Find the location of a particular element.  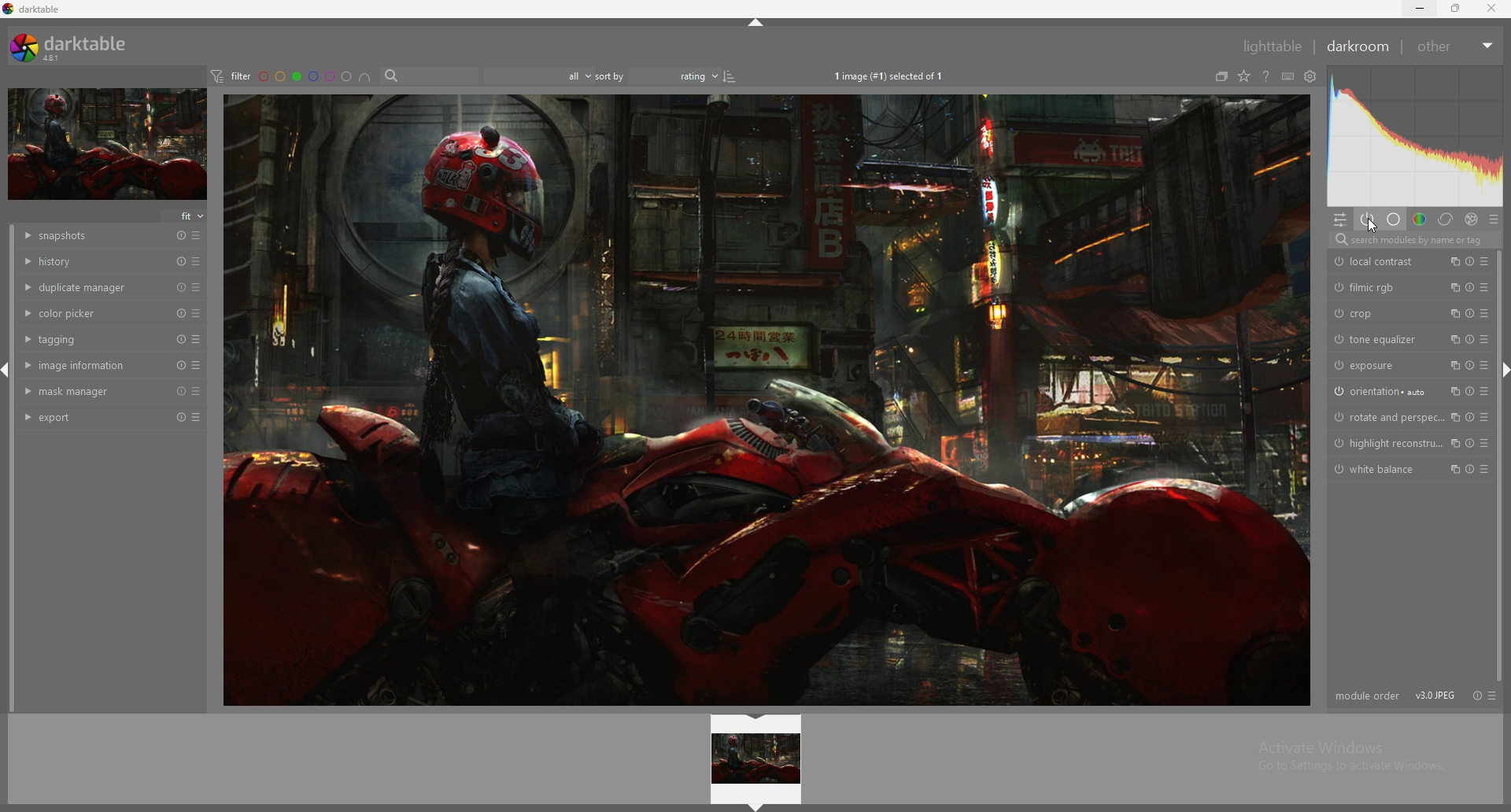

reset is located at coordinates (1467, 263).